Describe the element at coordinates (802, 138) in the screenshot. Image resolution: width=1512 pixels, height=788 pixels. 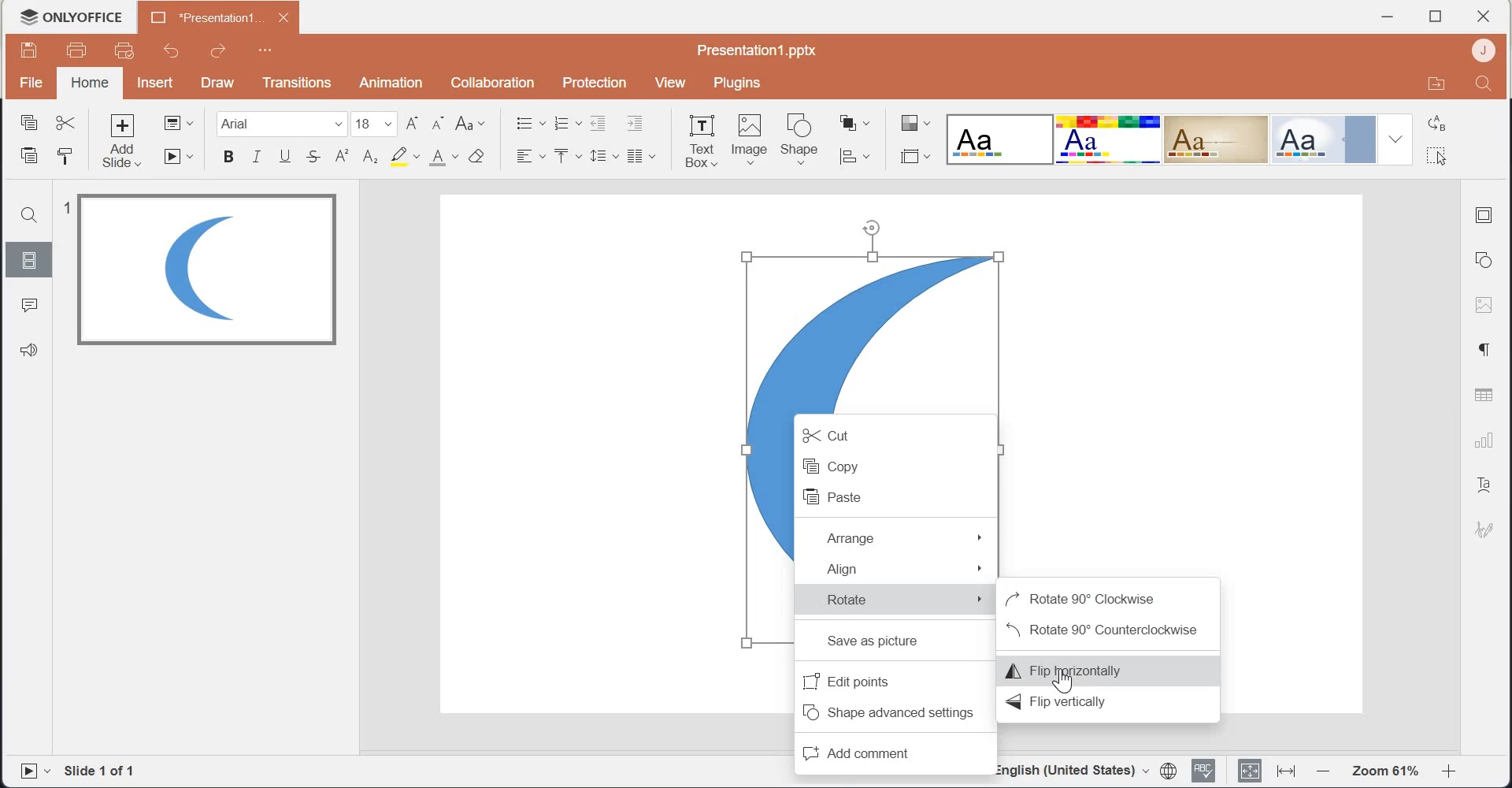
I see `Shape` at that location.